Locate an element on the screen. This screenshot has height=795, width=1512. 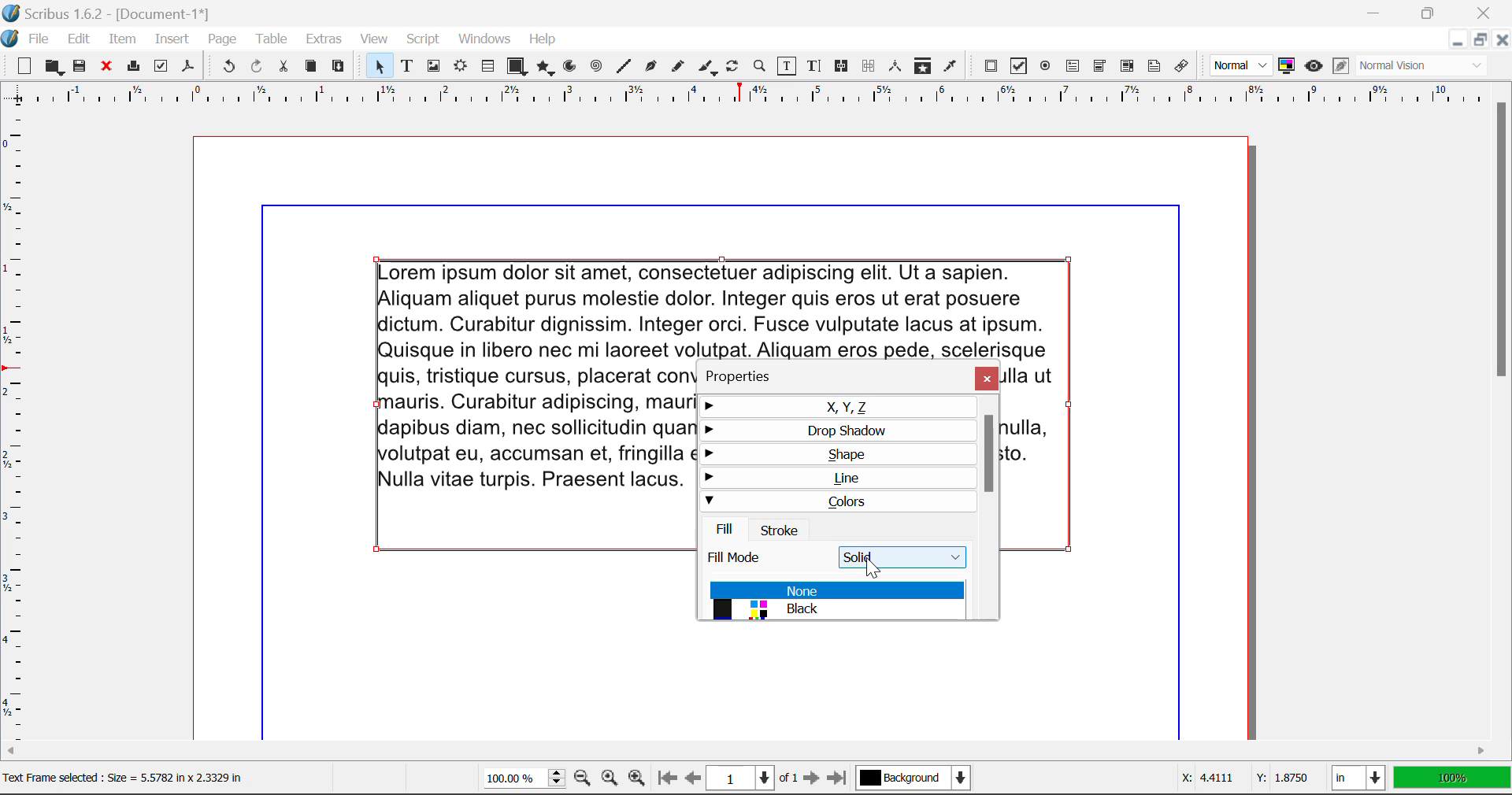
Next Page is located at coordinates (811, 779).